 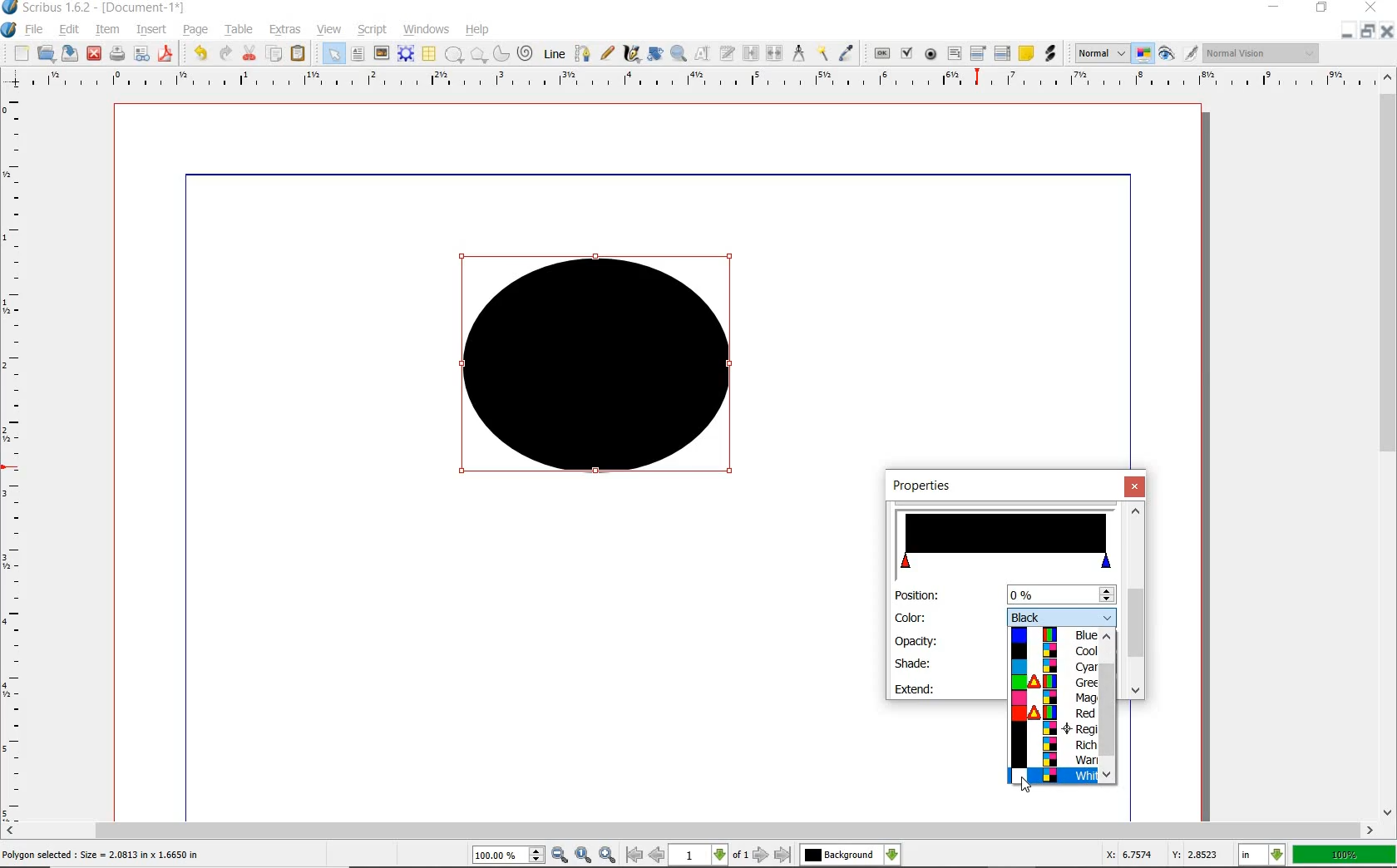 I want to click on color, so click(x=911, y=617).